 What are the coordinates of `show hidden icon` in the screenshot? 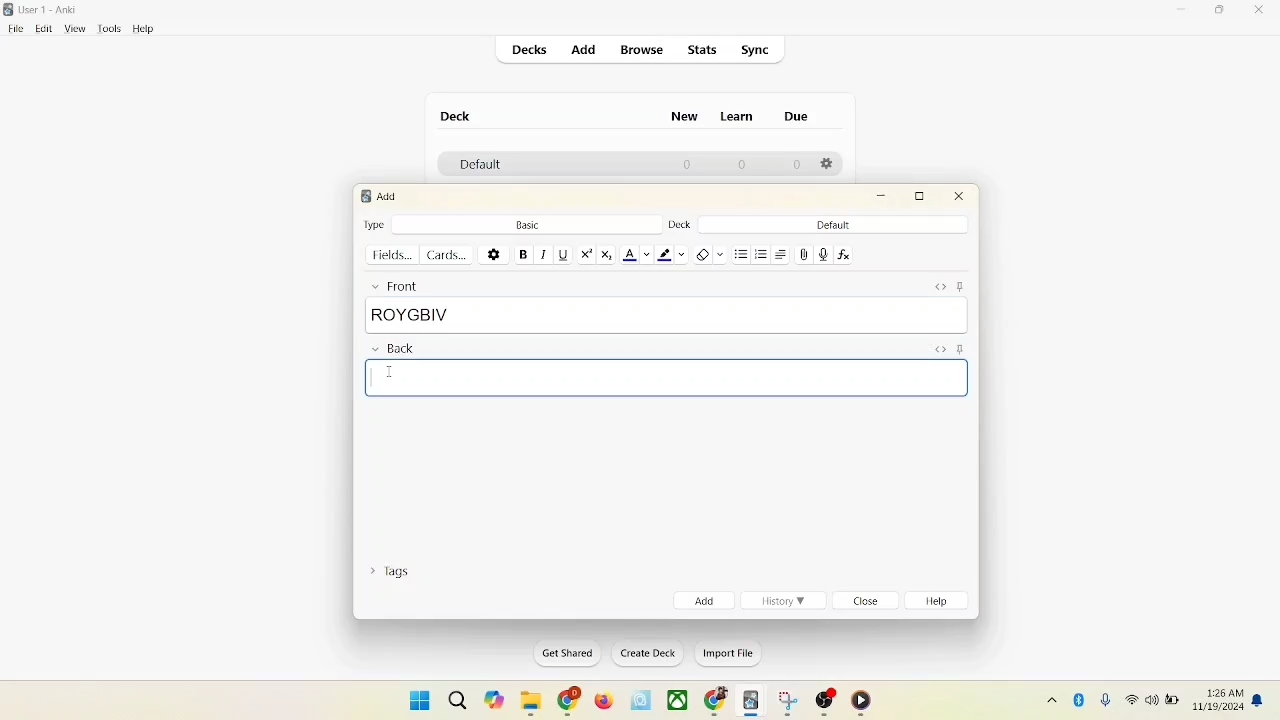 It's located at (1048, 699).